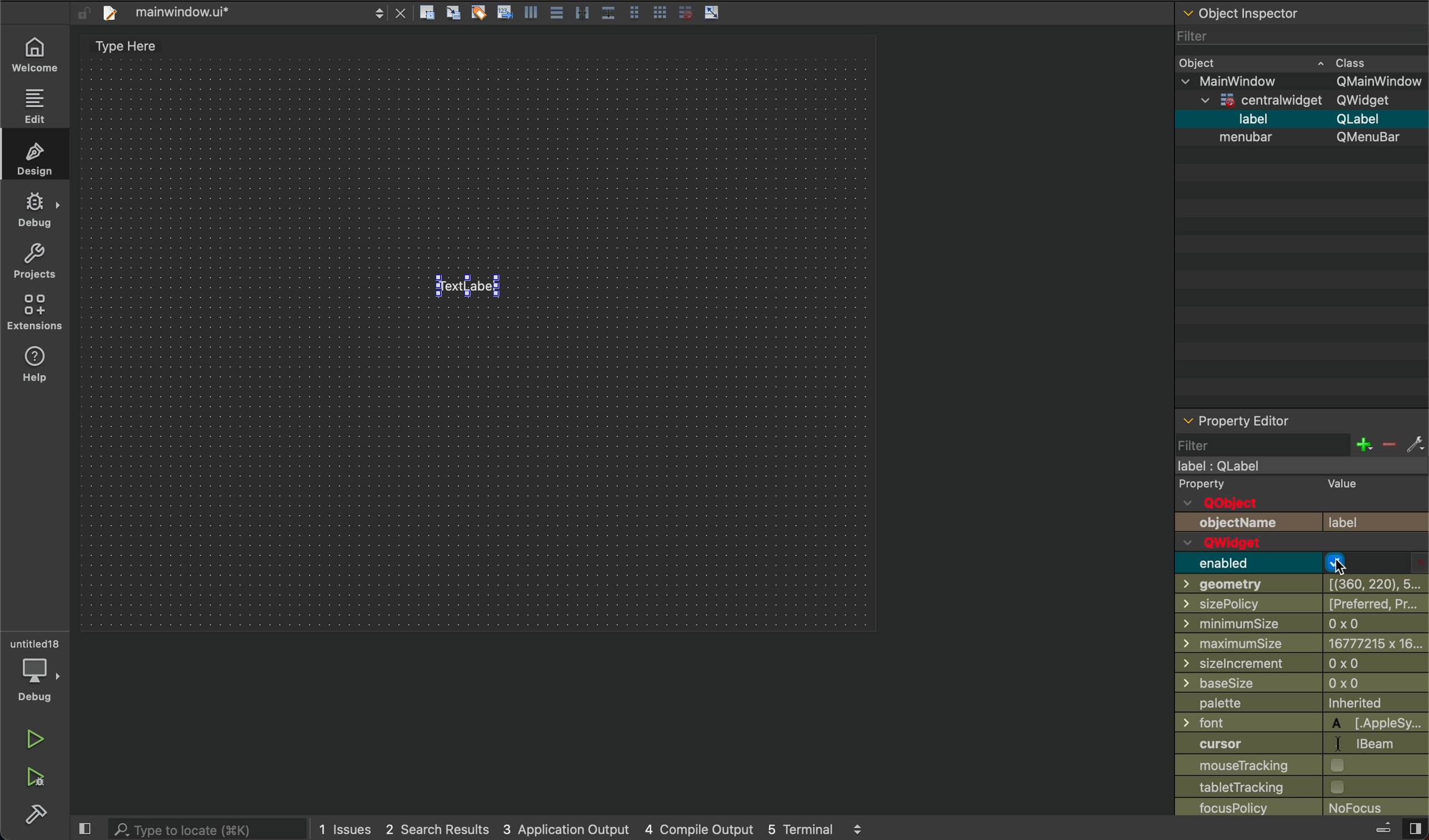  Describe the element at coordinates (1200, 61) in the screenshot. I see `Object` at that location.